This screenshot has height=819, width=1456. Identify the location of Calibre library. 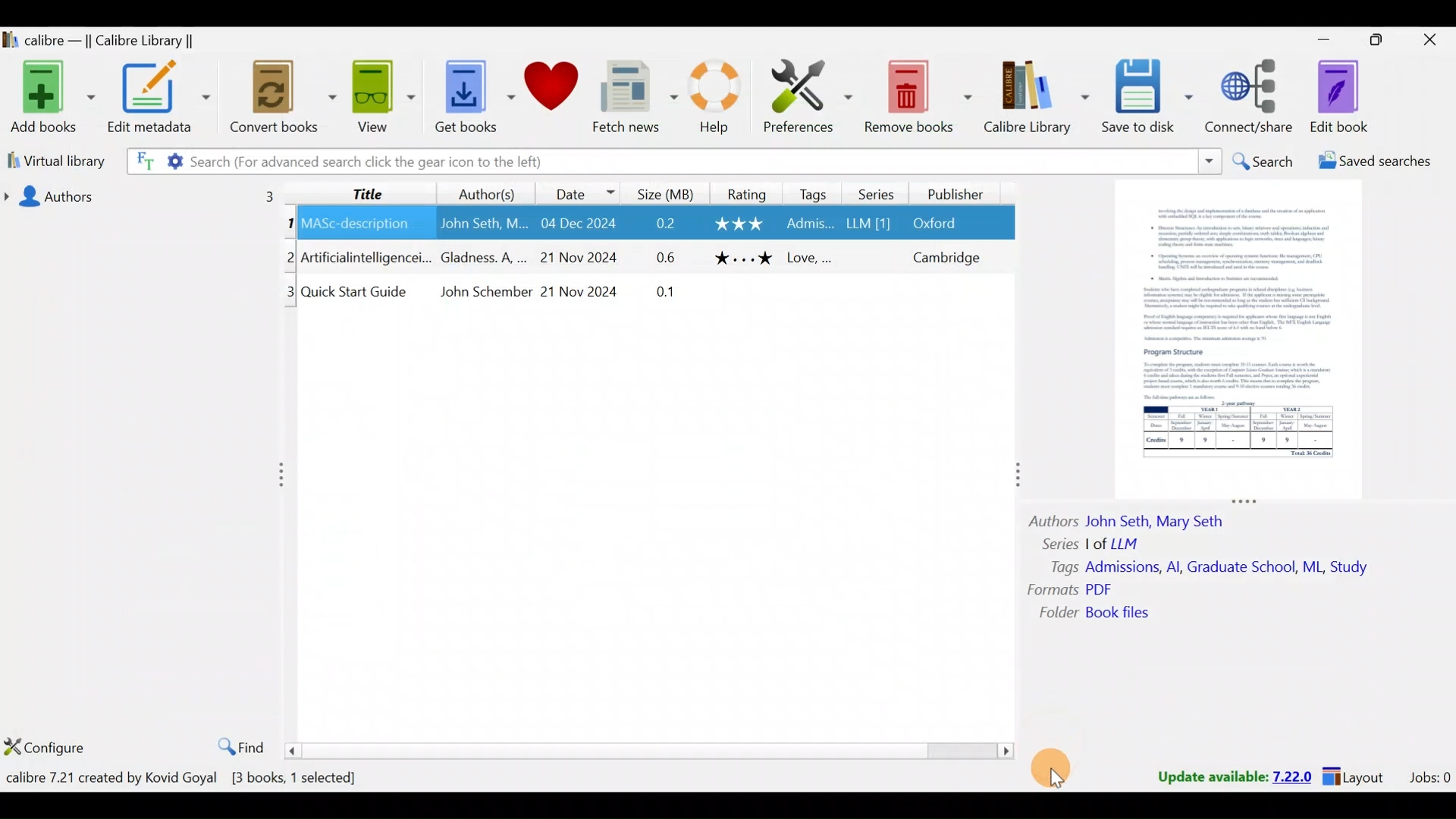
(1039, 98).